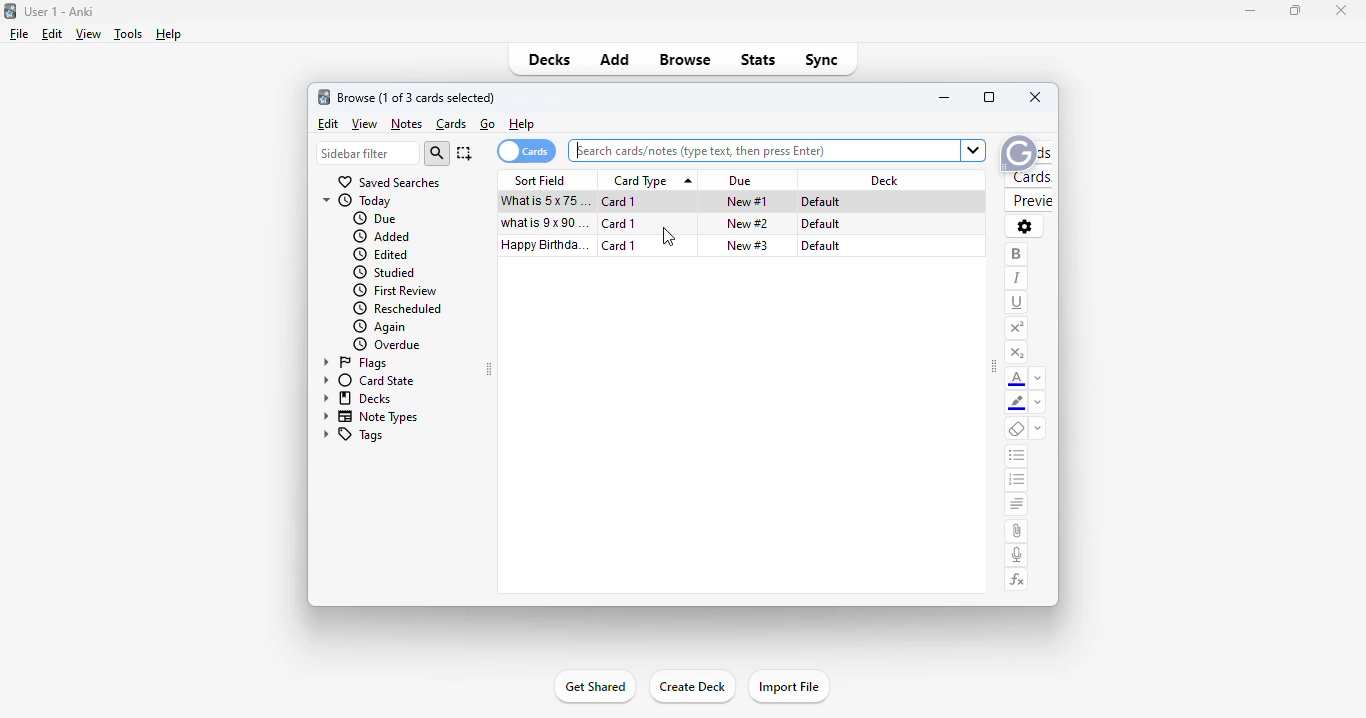 Image resolution: width=1366 pixels, height=718 pixels. What do you see at coordinates (329, 124) in the screenshot?
I see `edit` at bounding box center [329, 124].